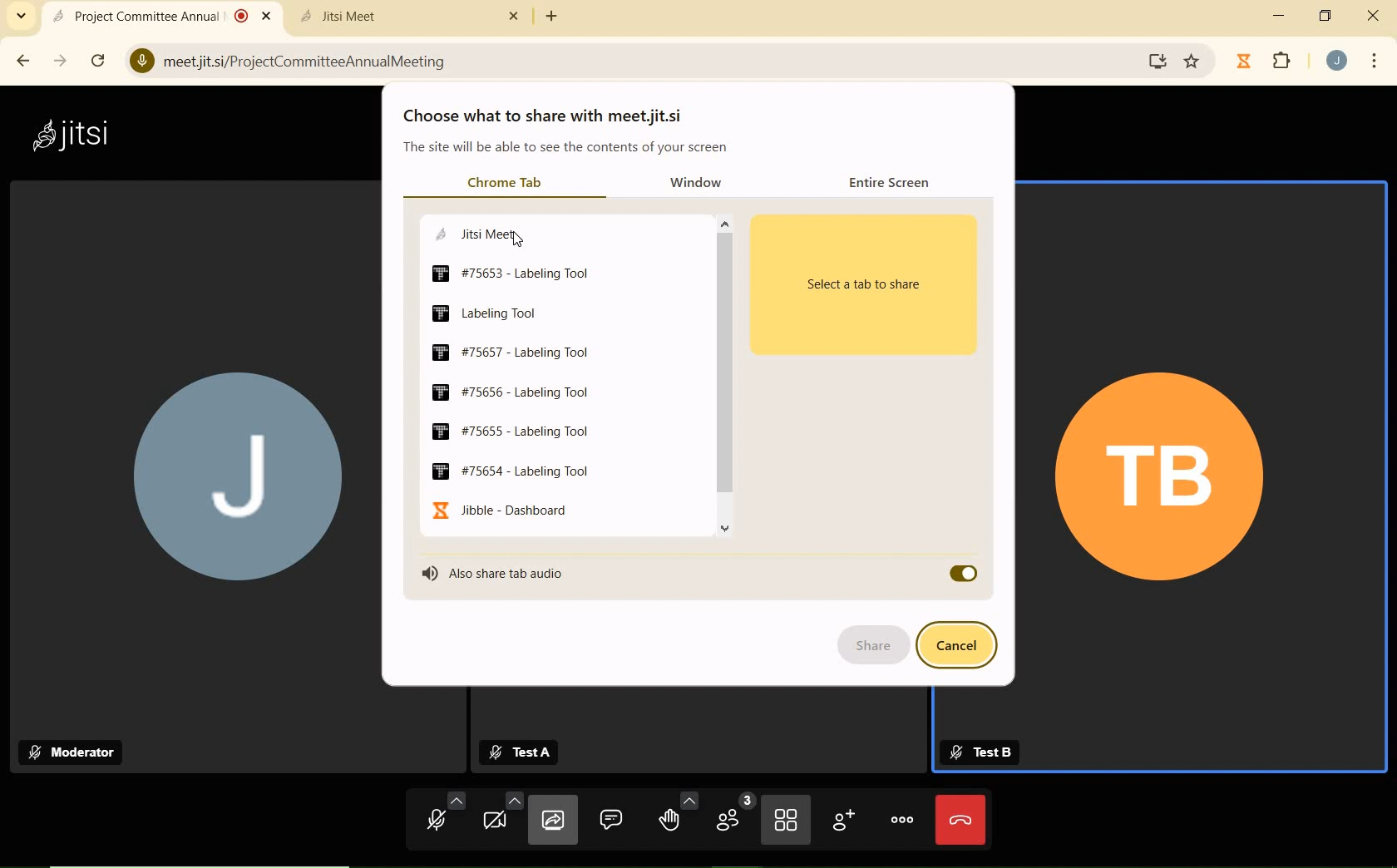  Describe the element at coordinates (893, 184) in the screenshot. I see `entire screen` at that location.